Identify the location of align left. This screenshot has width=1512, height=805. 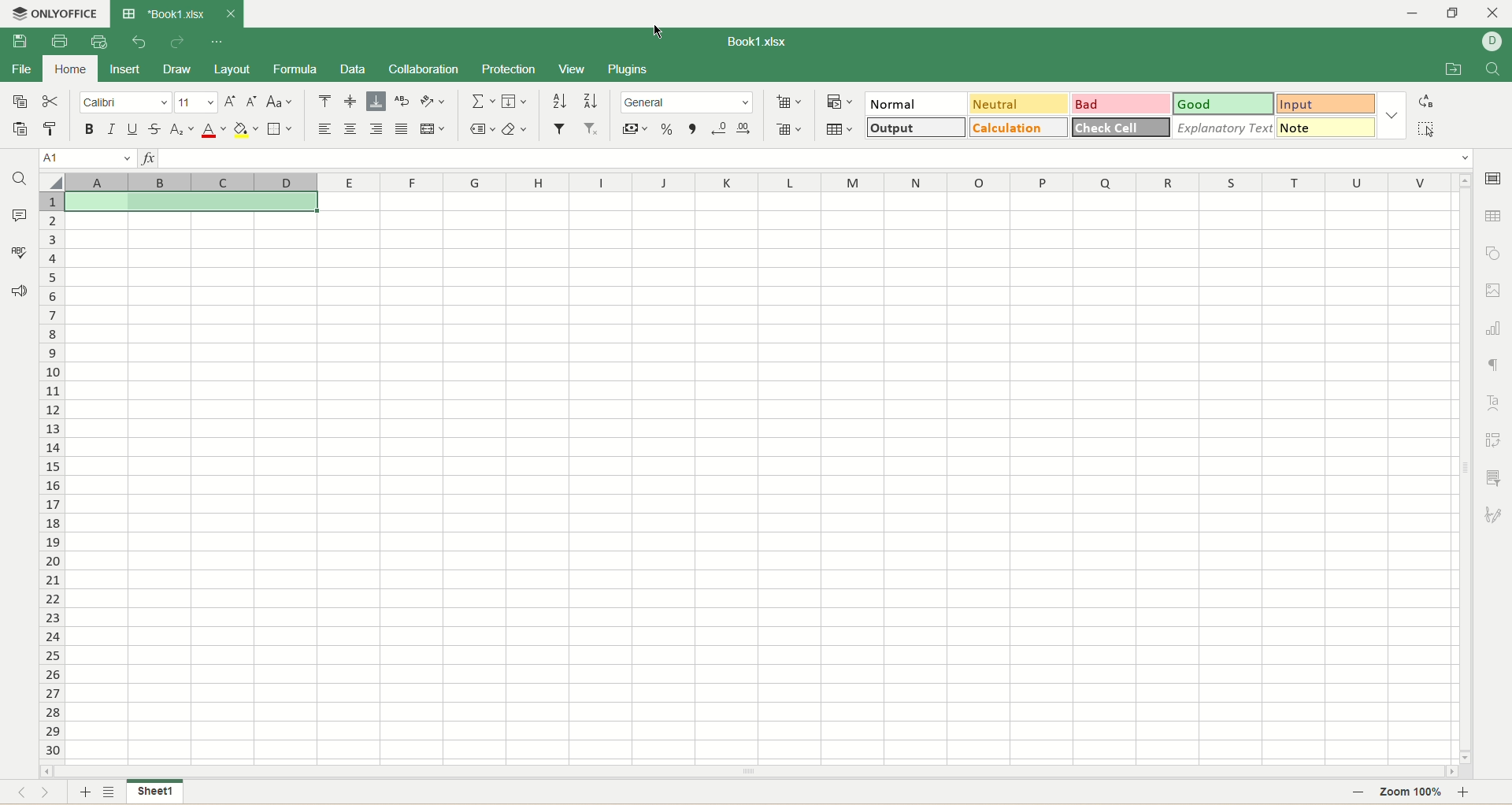
(325, 130).